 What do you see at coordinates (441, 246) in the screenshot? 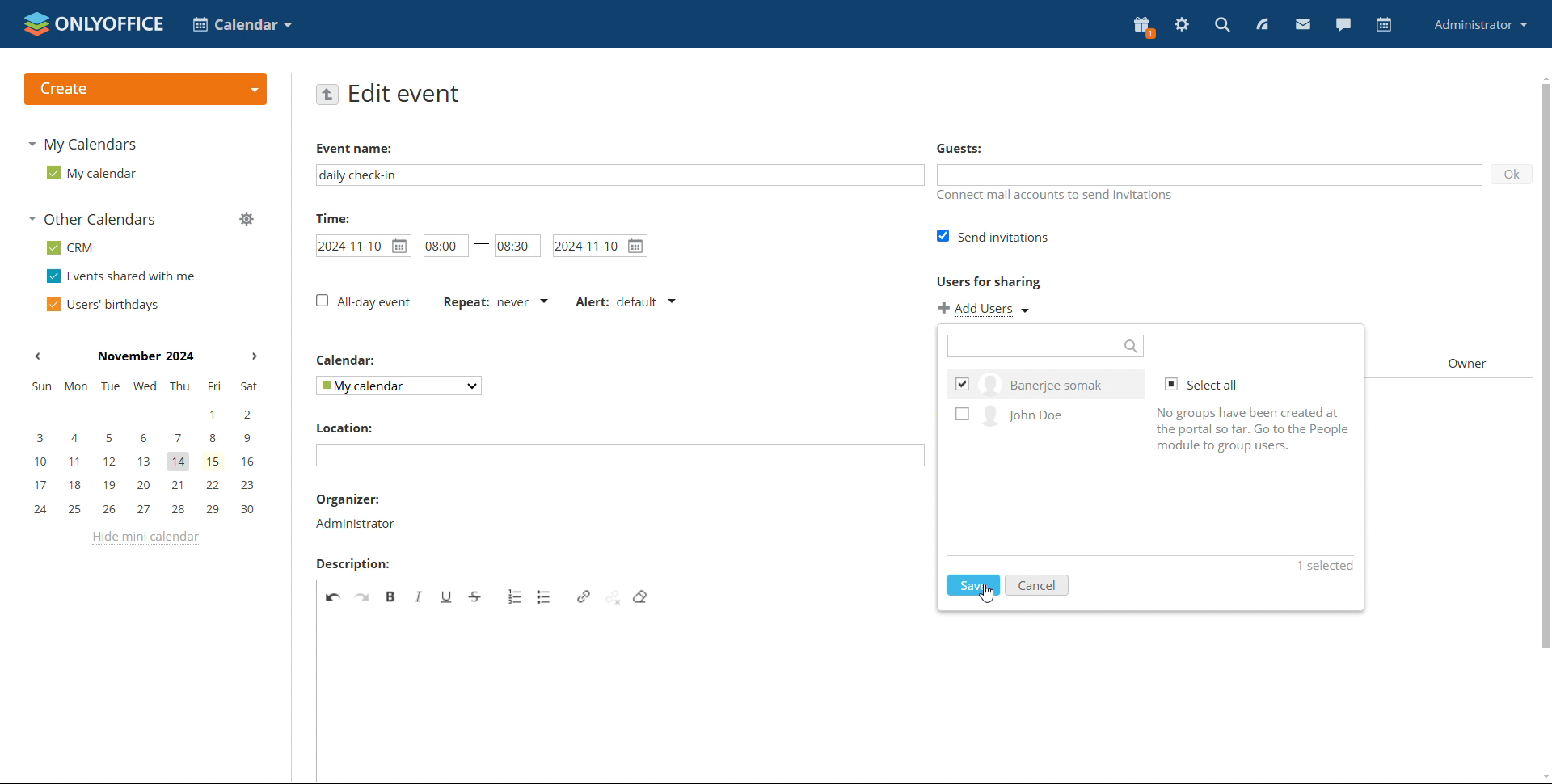
I see `start time` at bounding box center [441, 246].